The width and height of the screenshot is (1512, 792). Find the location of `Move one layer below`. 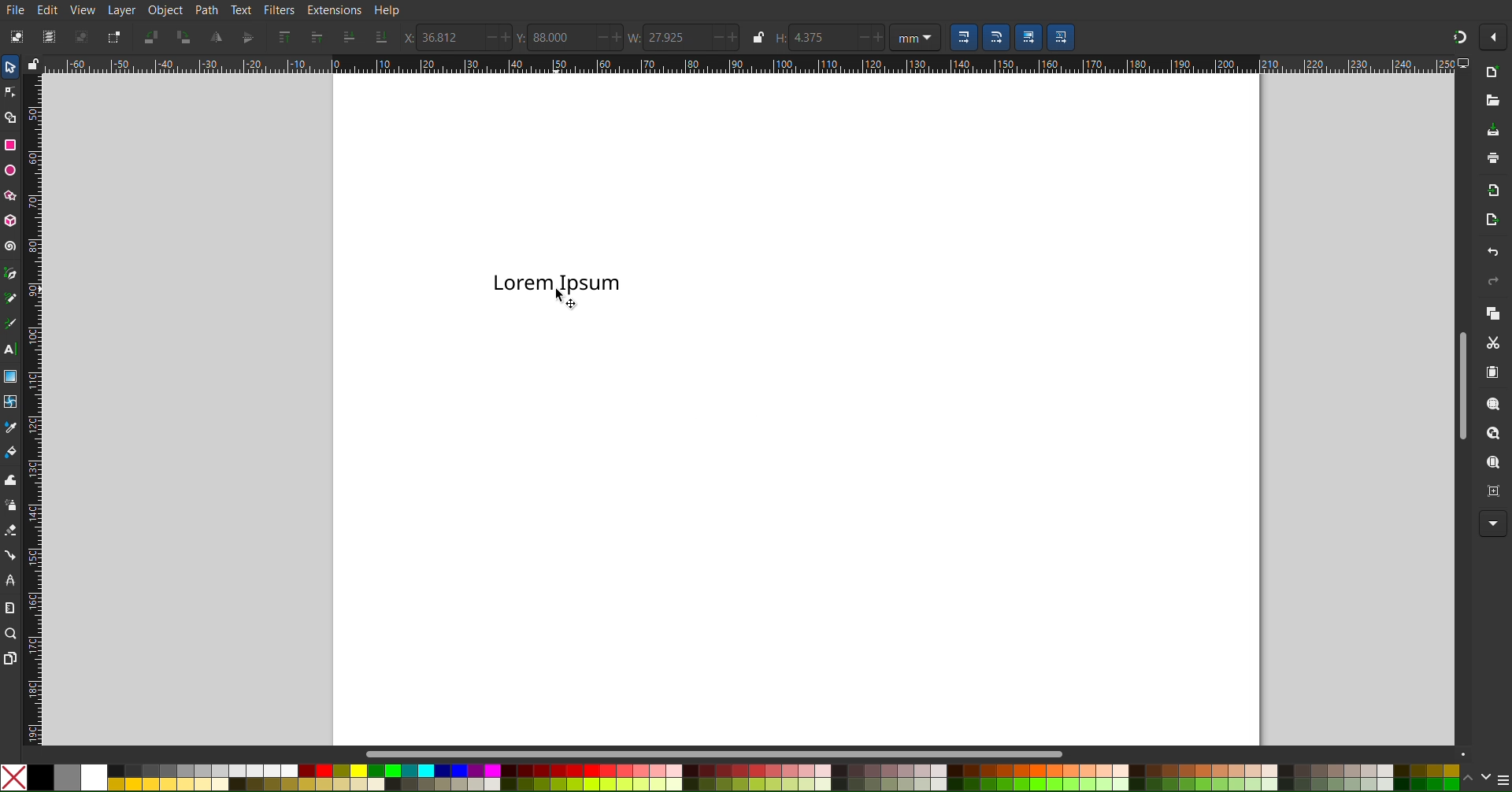

Move one layer below is located at coordinates (347, 37).